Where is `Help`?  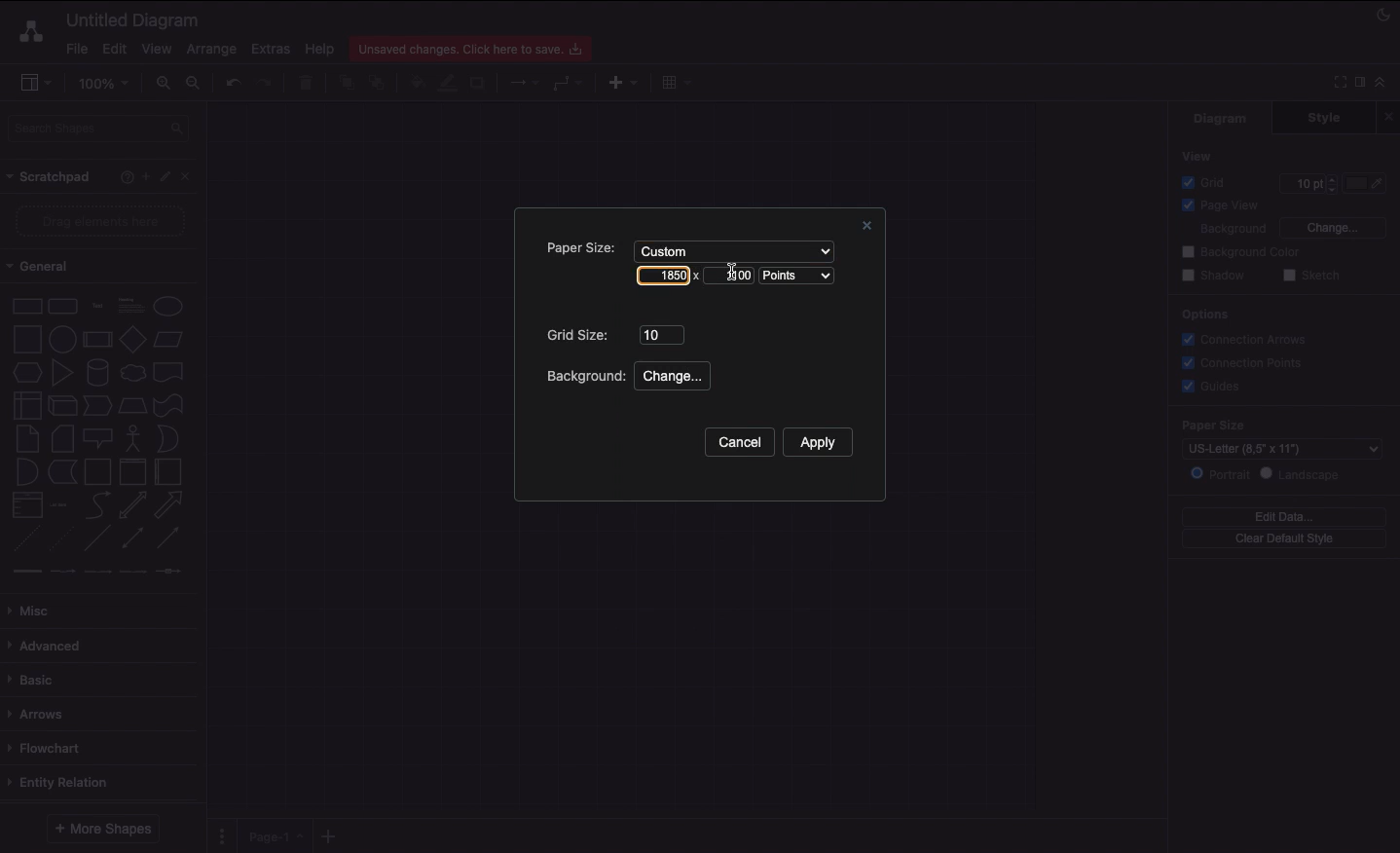 Help is located at coordinates (319, 48).